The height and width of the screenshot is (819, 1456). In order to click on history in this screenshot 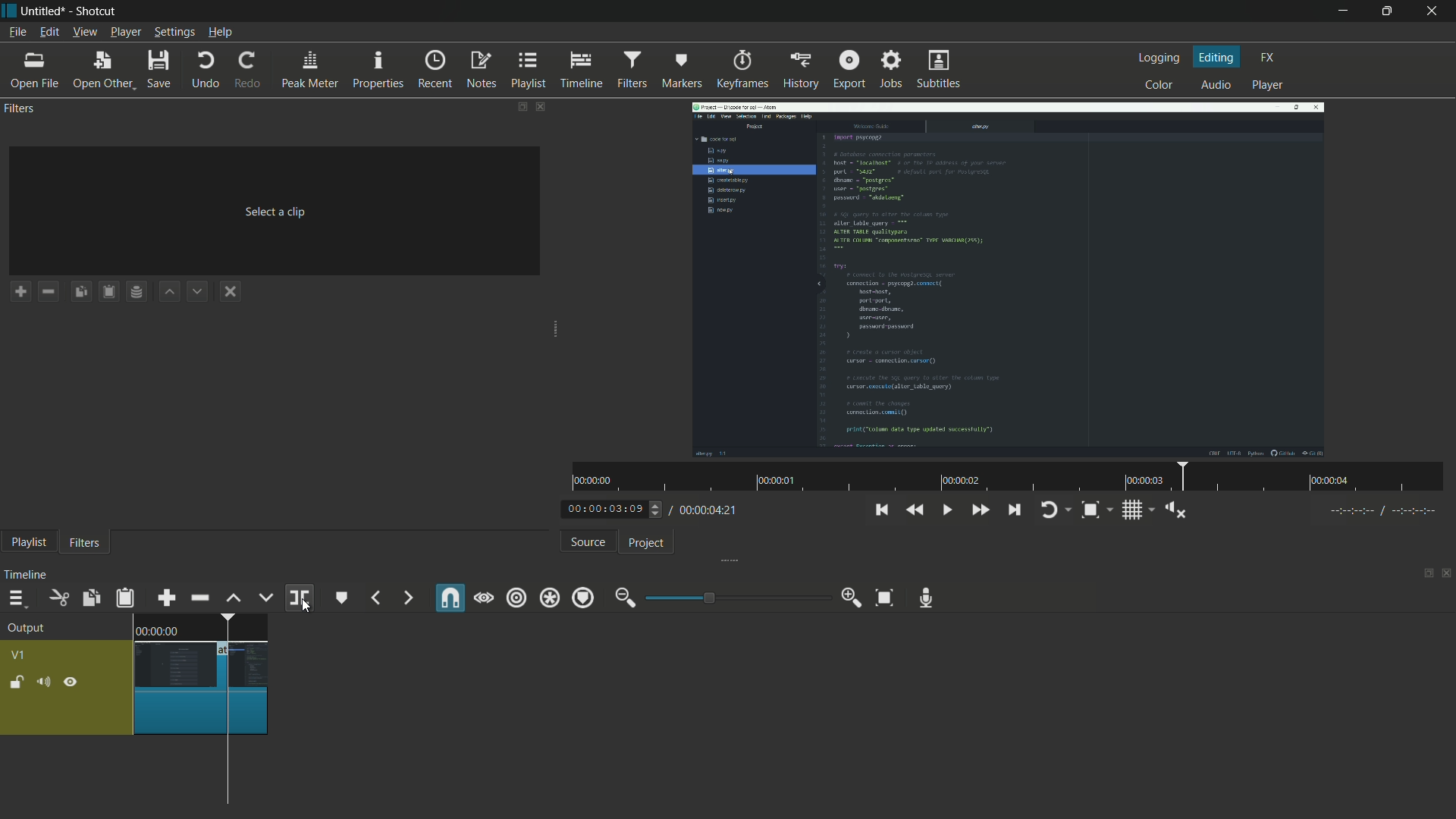, I will do `click(802, 71)`.